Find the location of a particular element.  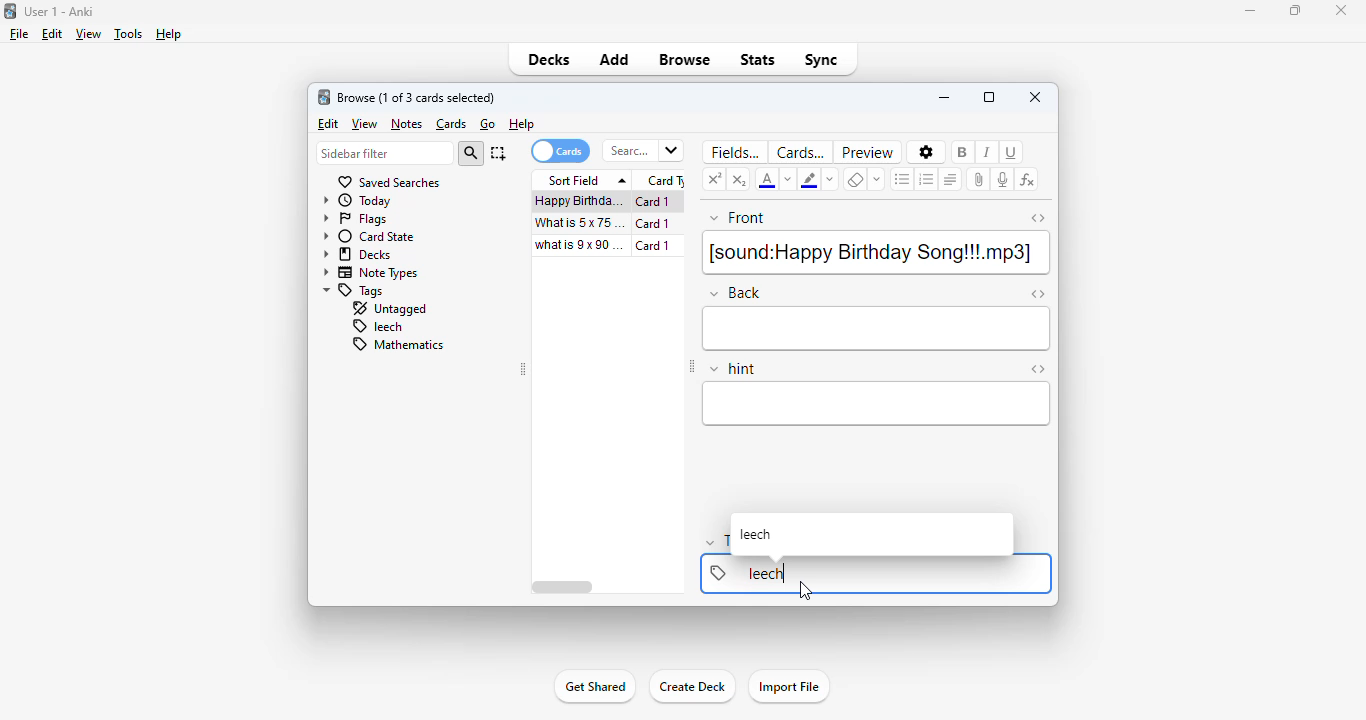

subscript is located at coordinates (740, 179).